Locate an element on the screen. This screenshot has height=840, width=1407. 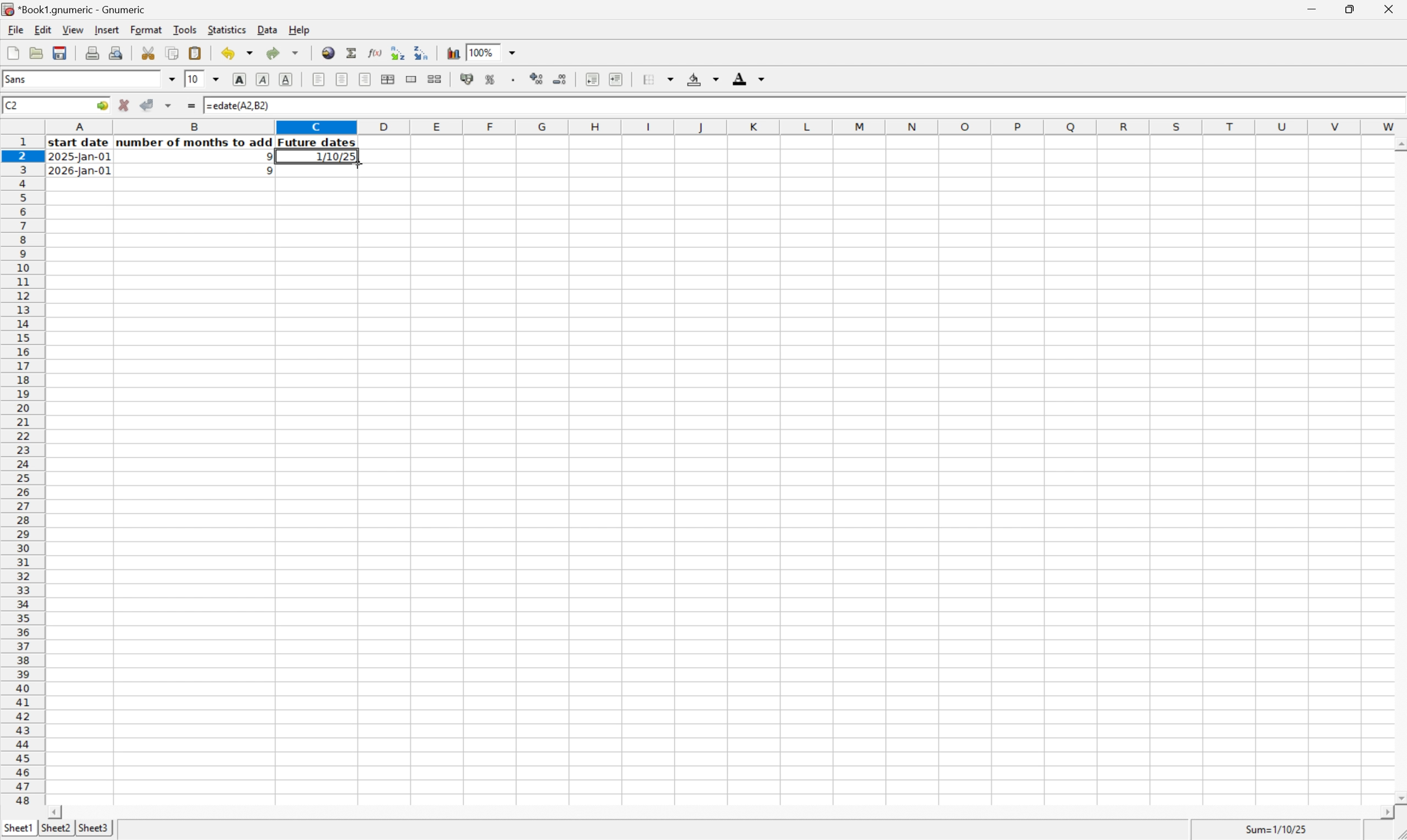
Sum=0 is located at coordinates (1278, 829).